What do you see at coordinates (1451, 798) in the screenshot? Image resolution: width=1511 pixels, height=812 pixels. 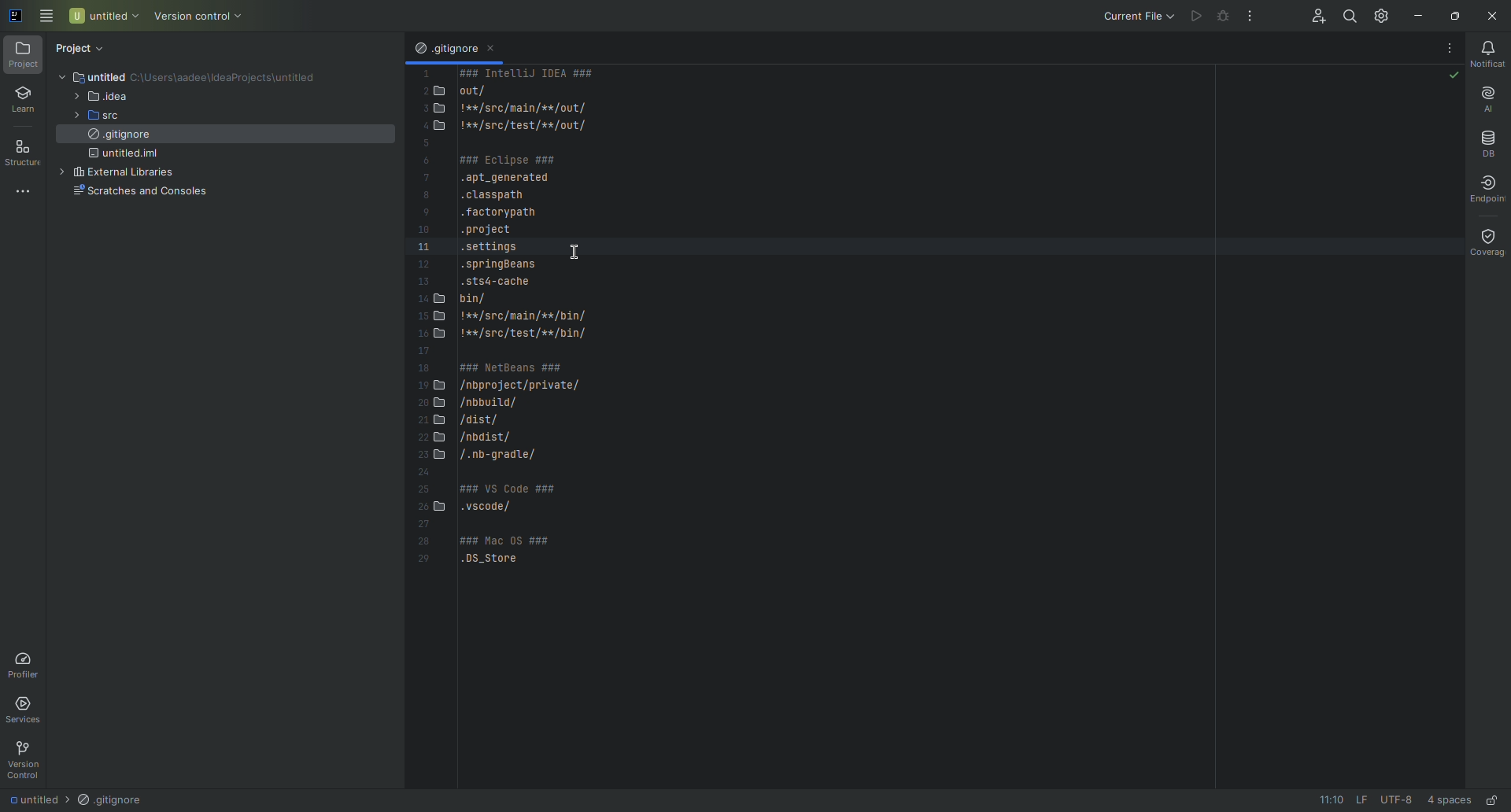 I see `4 spaces(indent)` at bounding box center [1451, 798].